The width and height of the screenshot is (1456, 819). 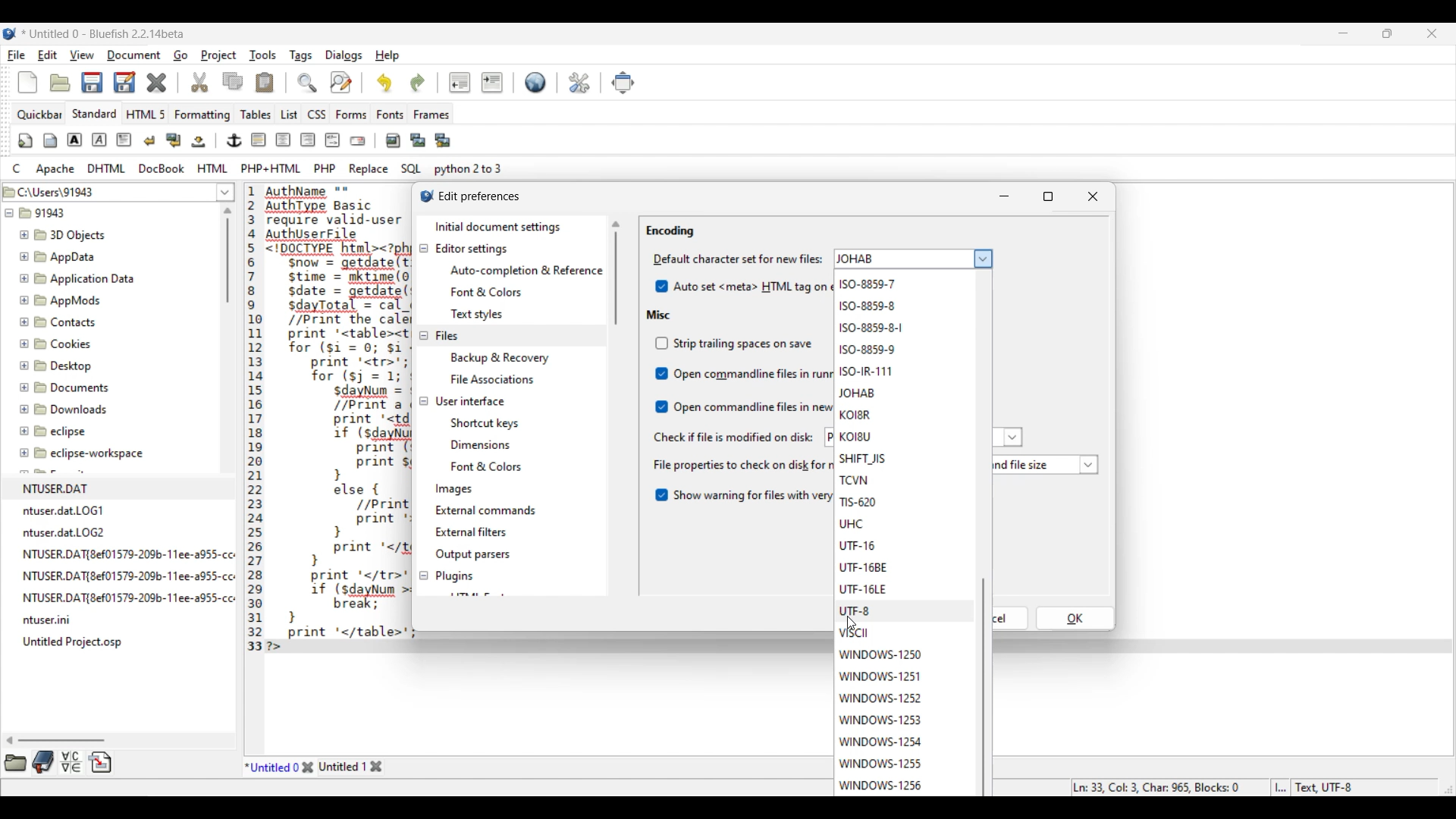 What do you see at coordinates (317, 115) in the screenshot?
I see `CSS` at bounding box center [317, 115].